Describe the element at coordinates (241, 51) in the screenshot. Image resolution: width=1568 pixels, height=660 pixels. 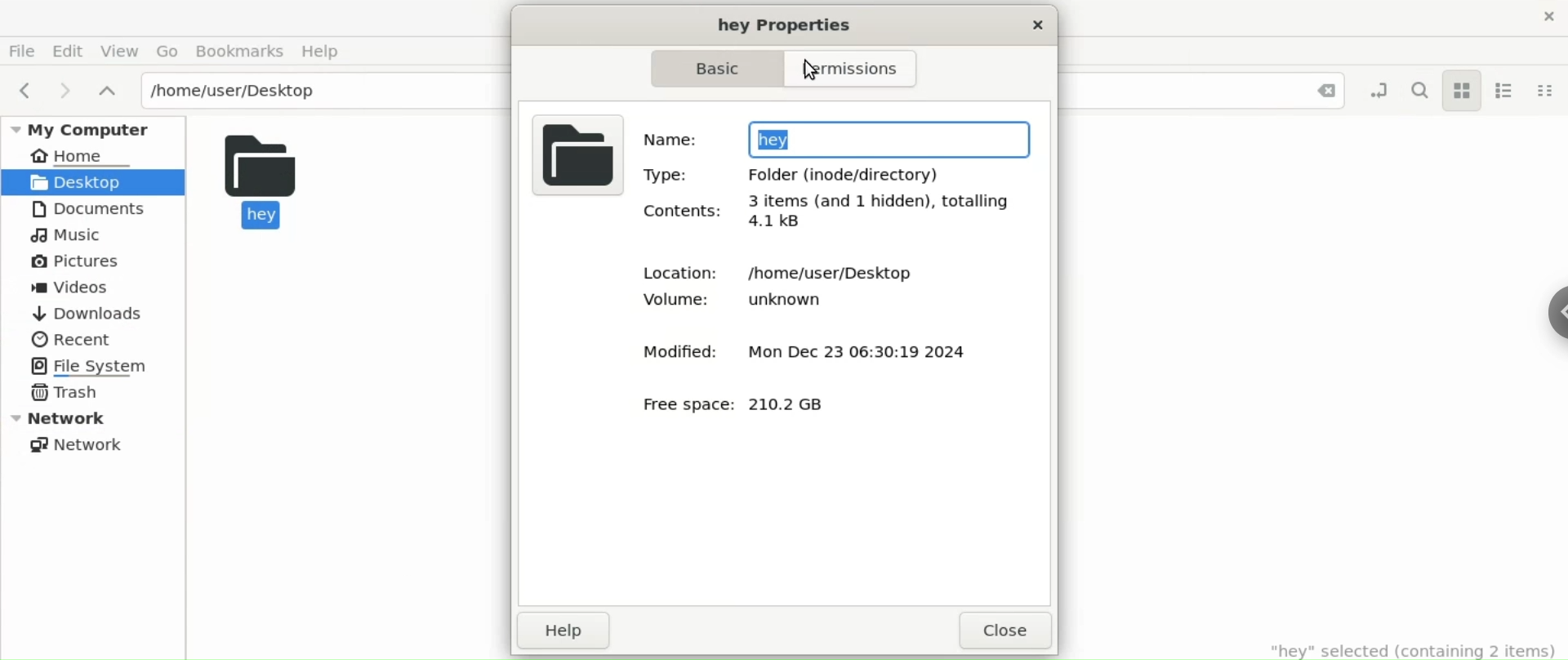
I see `Bookmarks` at that location.